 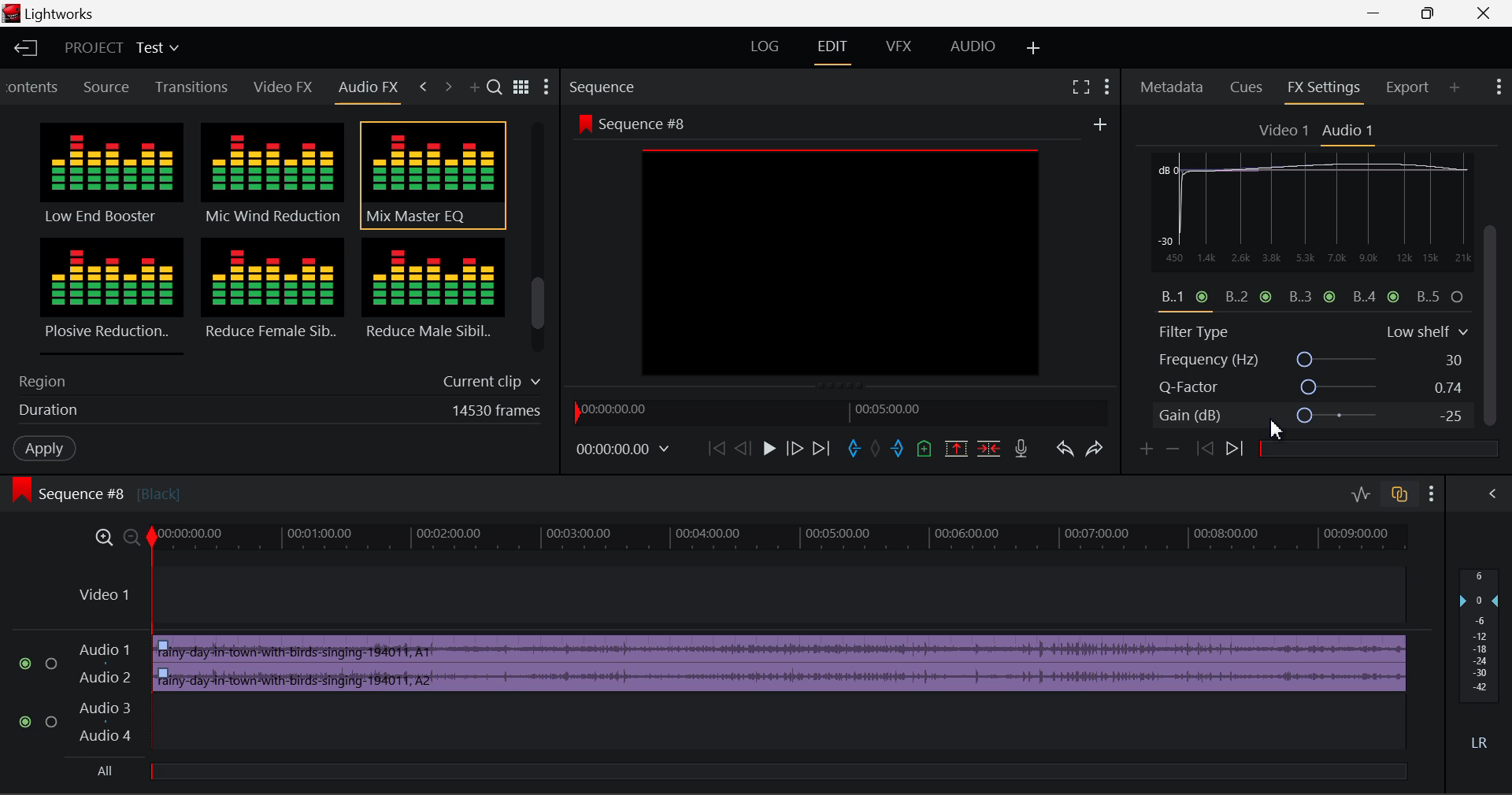 What do you see at coordinates (273, 296) in the screenshot?
I see `Reduce Female Sibilance` at bounding box center [273, 296].